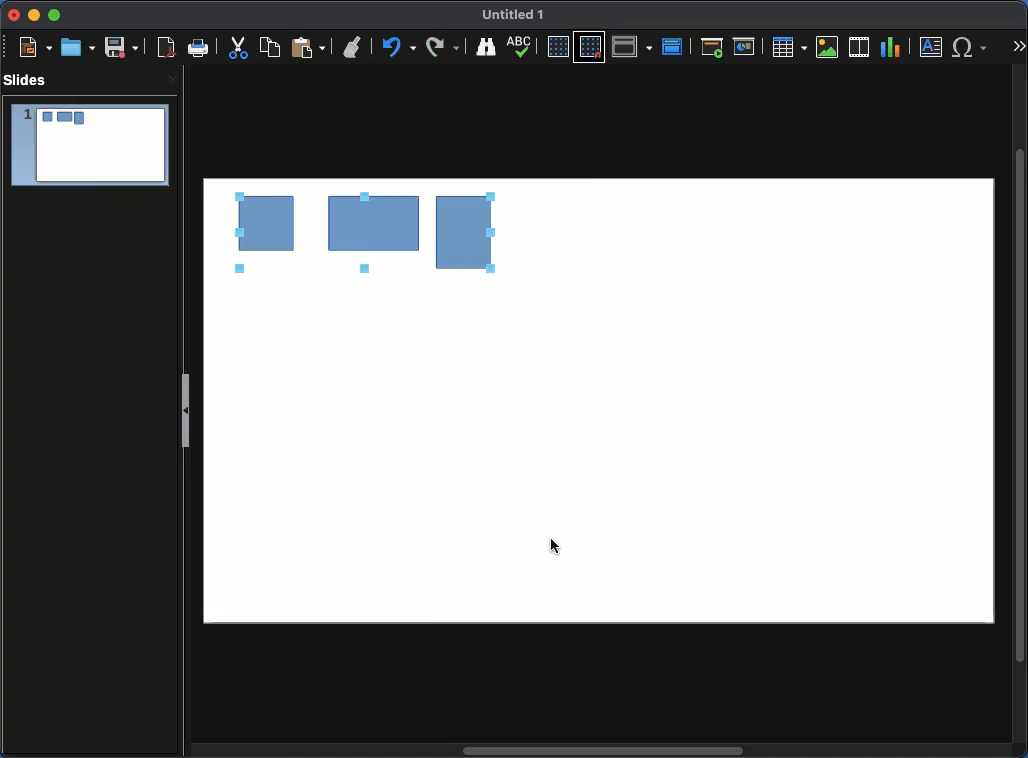  I want to click on Slide panel, so click(187, 405).